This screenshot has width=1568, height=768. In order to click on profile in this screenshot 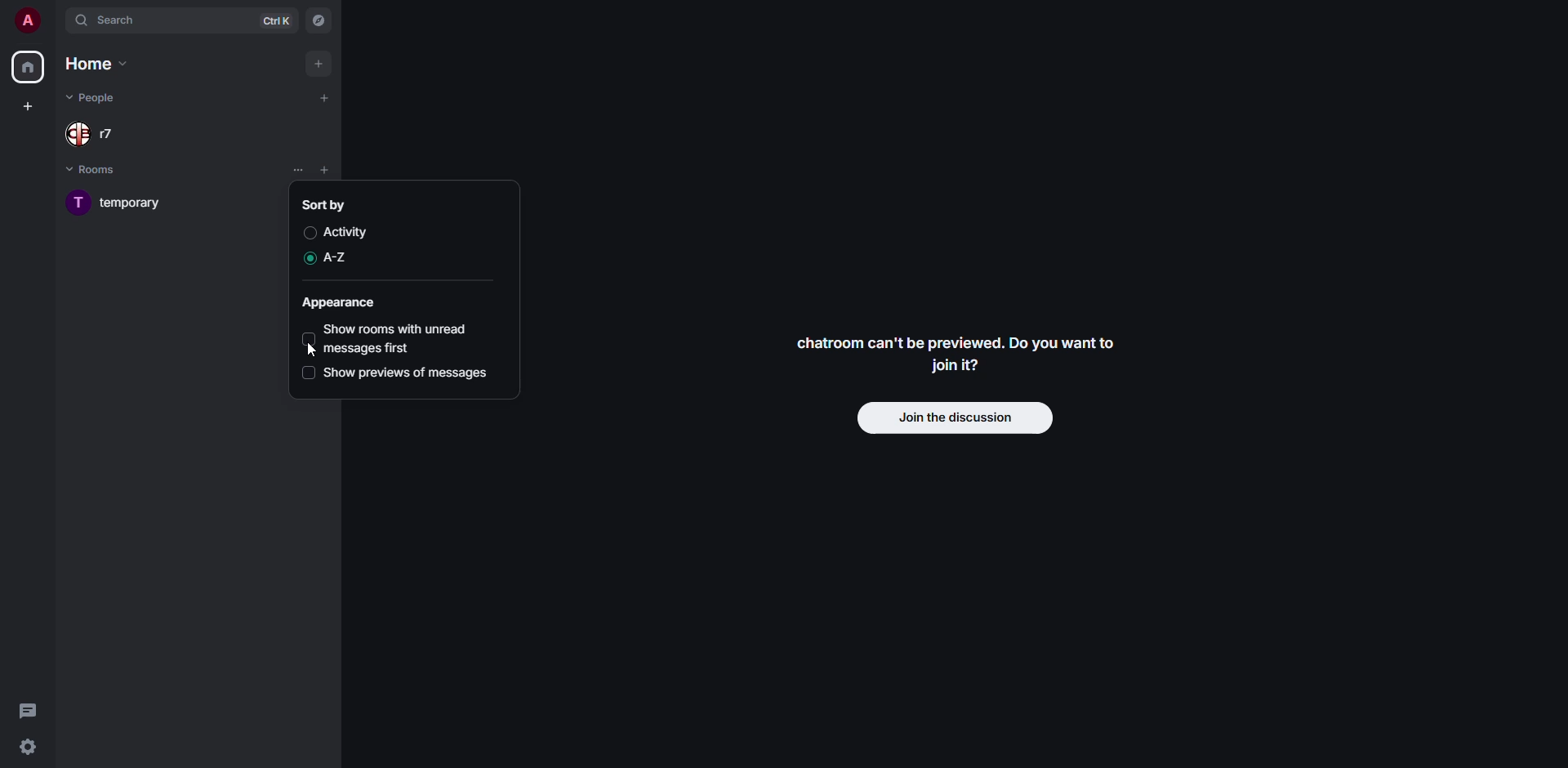, I will do `click(27, 20)`.